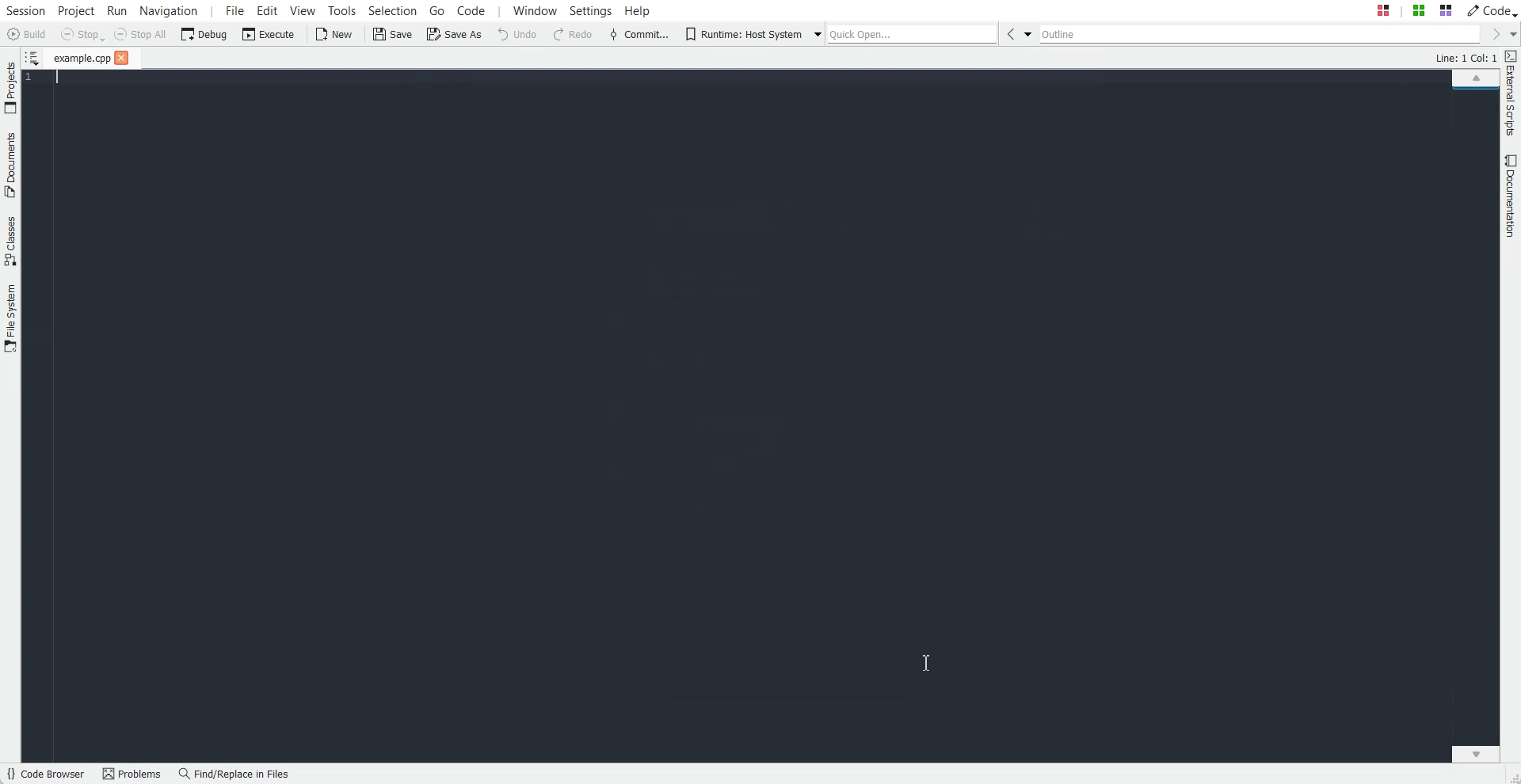  I want to click on Problems, so click(134, 774).